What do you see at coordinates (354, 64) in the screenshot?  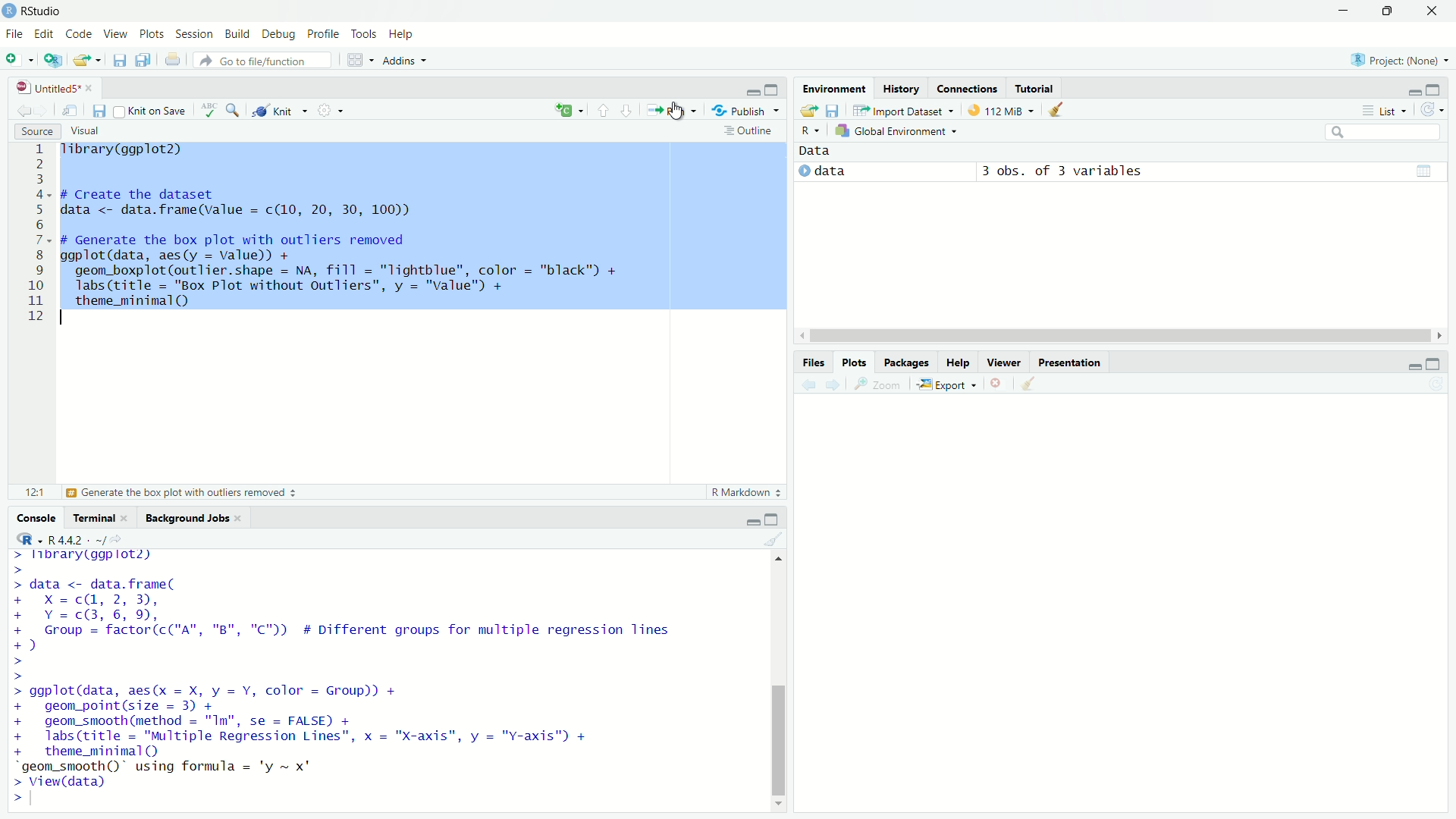 I see `grid` at bounding box center [354, 64].